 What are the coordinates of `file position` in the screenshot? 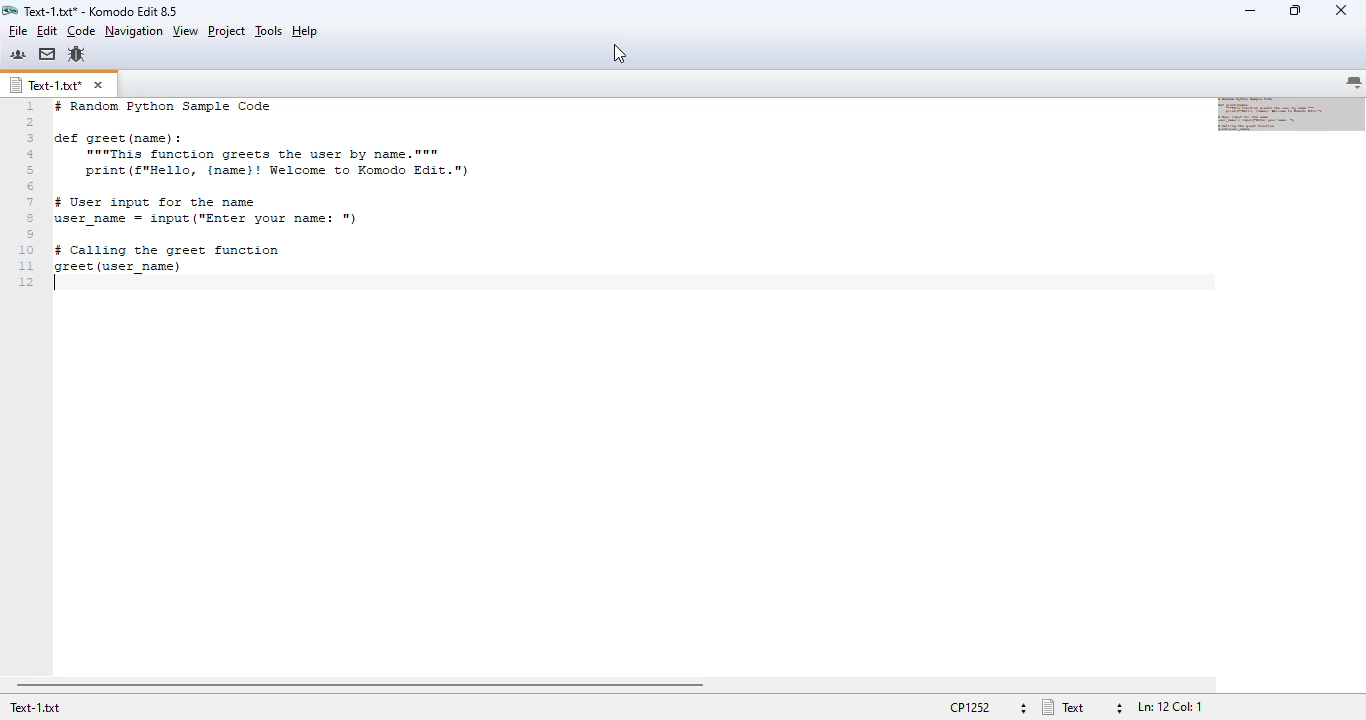 It's located at (1170, 707).